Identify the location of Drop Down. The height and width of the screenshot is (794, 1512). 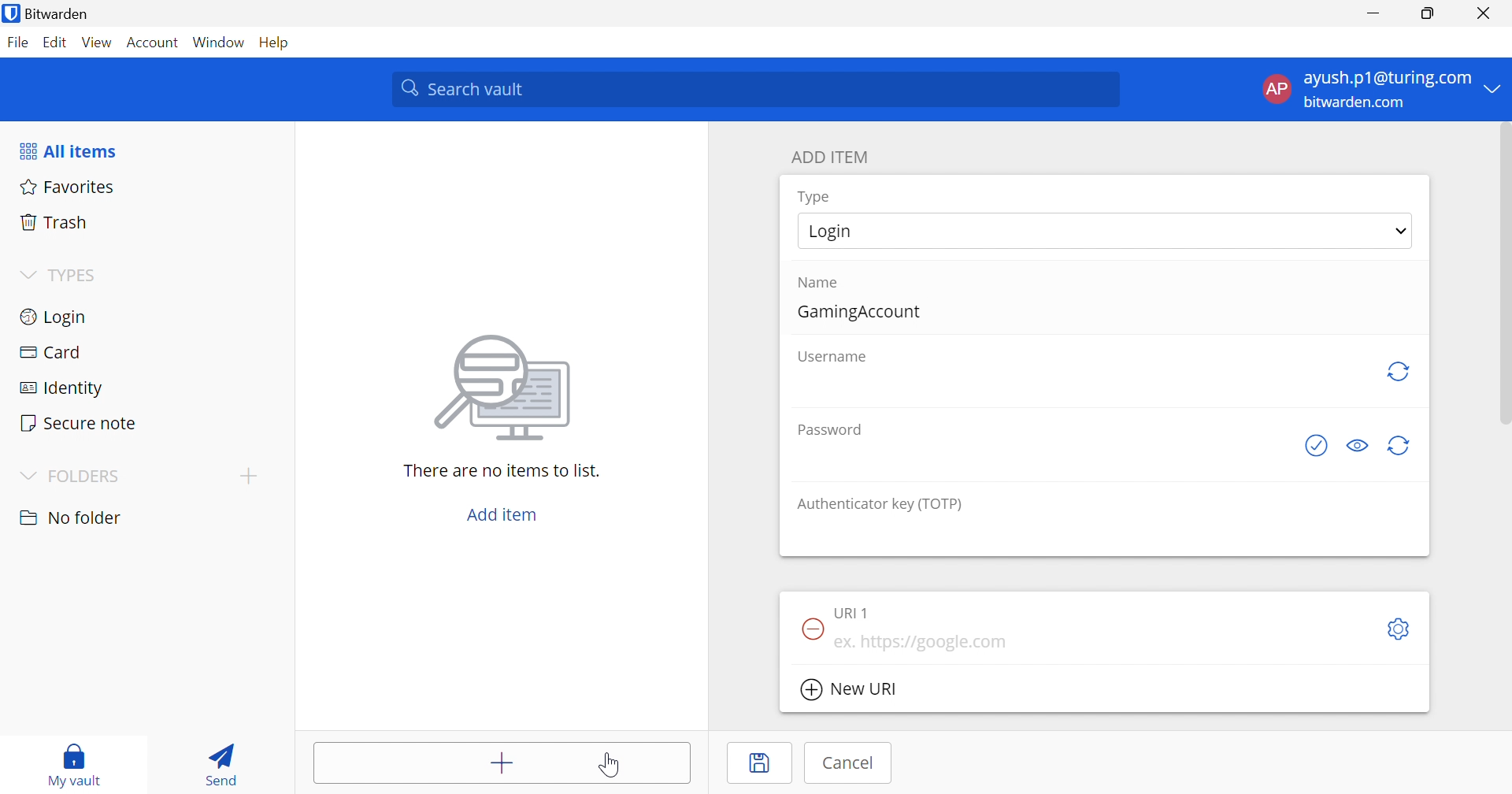
(1402, 231).